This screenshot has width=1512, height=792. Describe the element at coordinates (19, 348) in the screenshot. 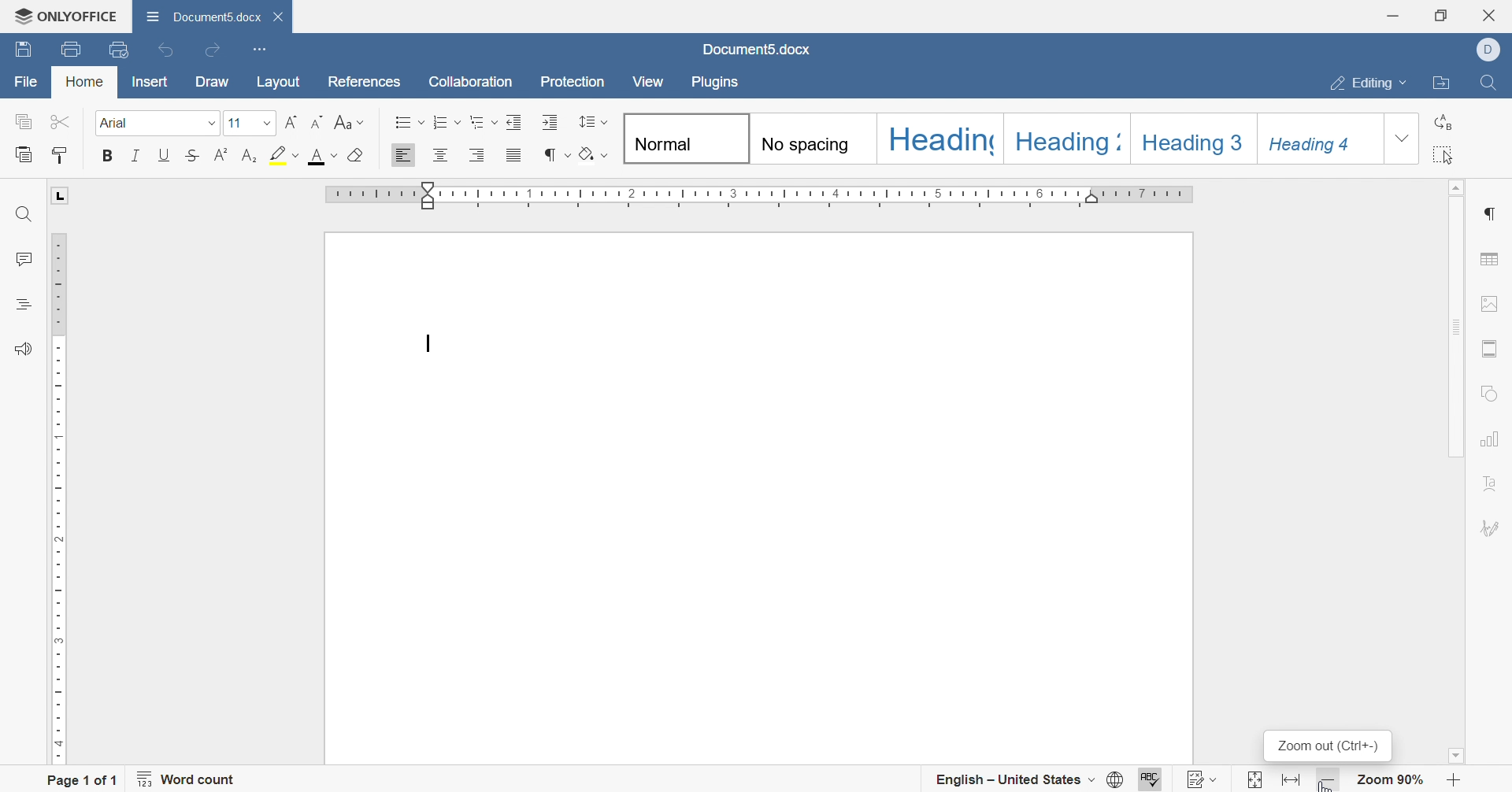

I see `feedback and support` at that location.